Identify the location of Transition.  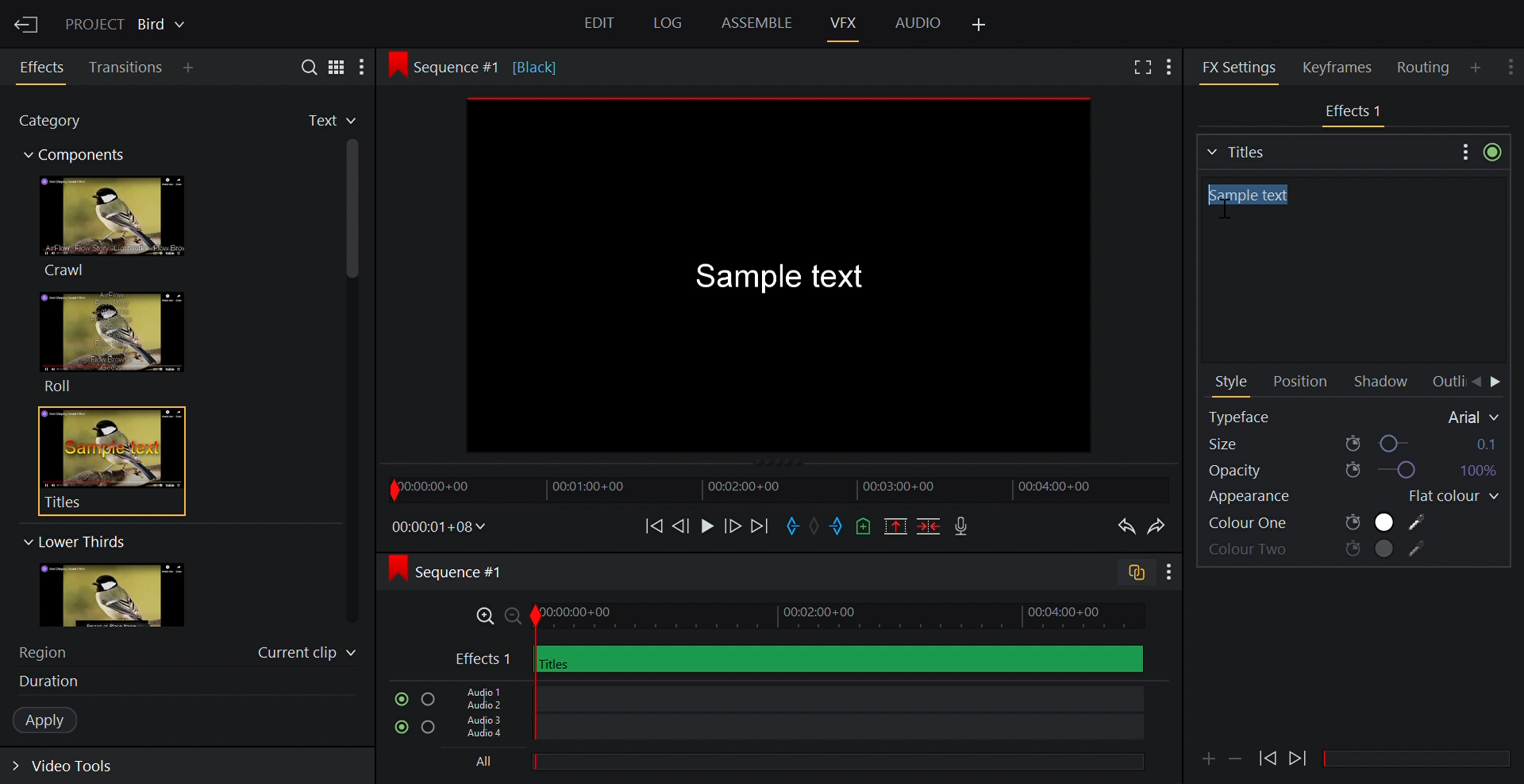
(127, 67).